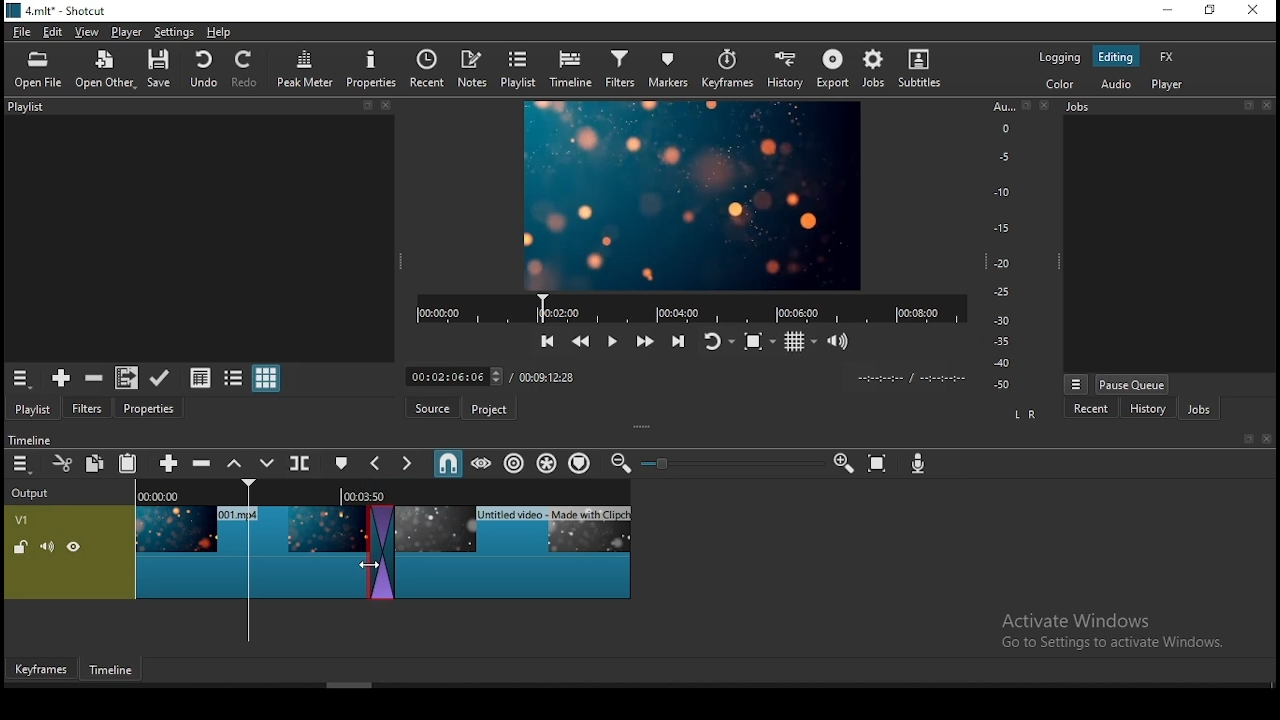 The image size is (1280, 720). Describe the element at coordinates (1059, 58) in the screenshot. I see `logging` at that location.